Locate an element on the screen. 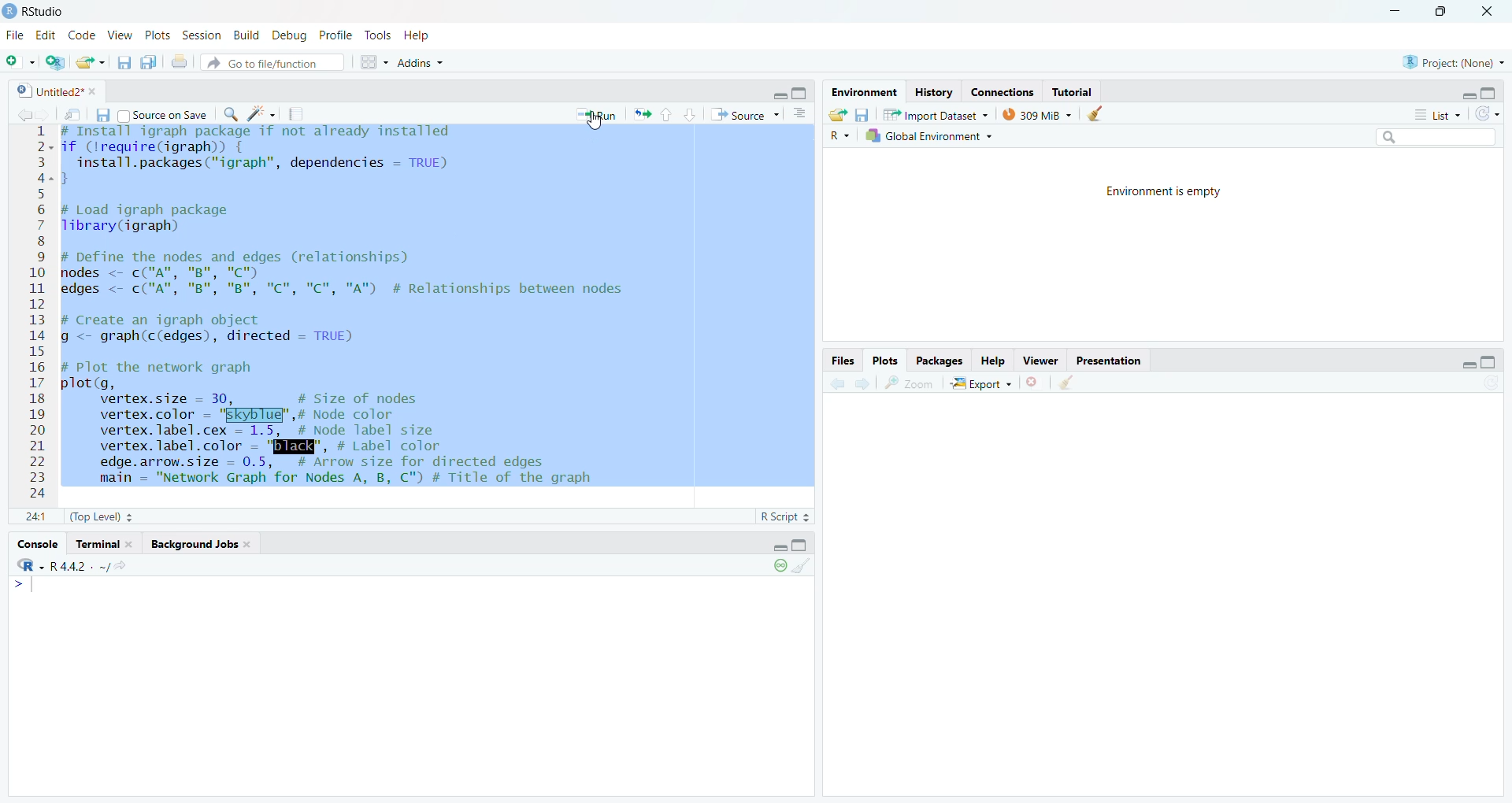 The height and width of the screenshot is (803, 1512). Files is located at coordinates (839, 359).